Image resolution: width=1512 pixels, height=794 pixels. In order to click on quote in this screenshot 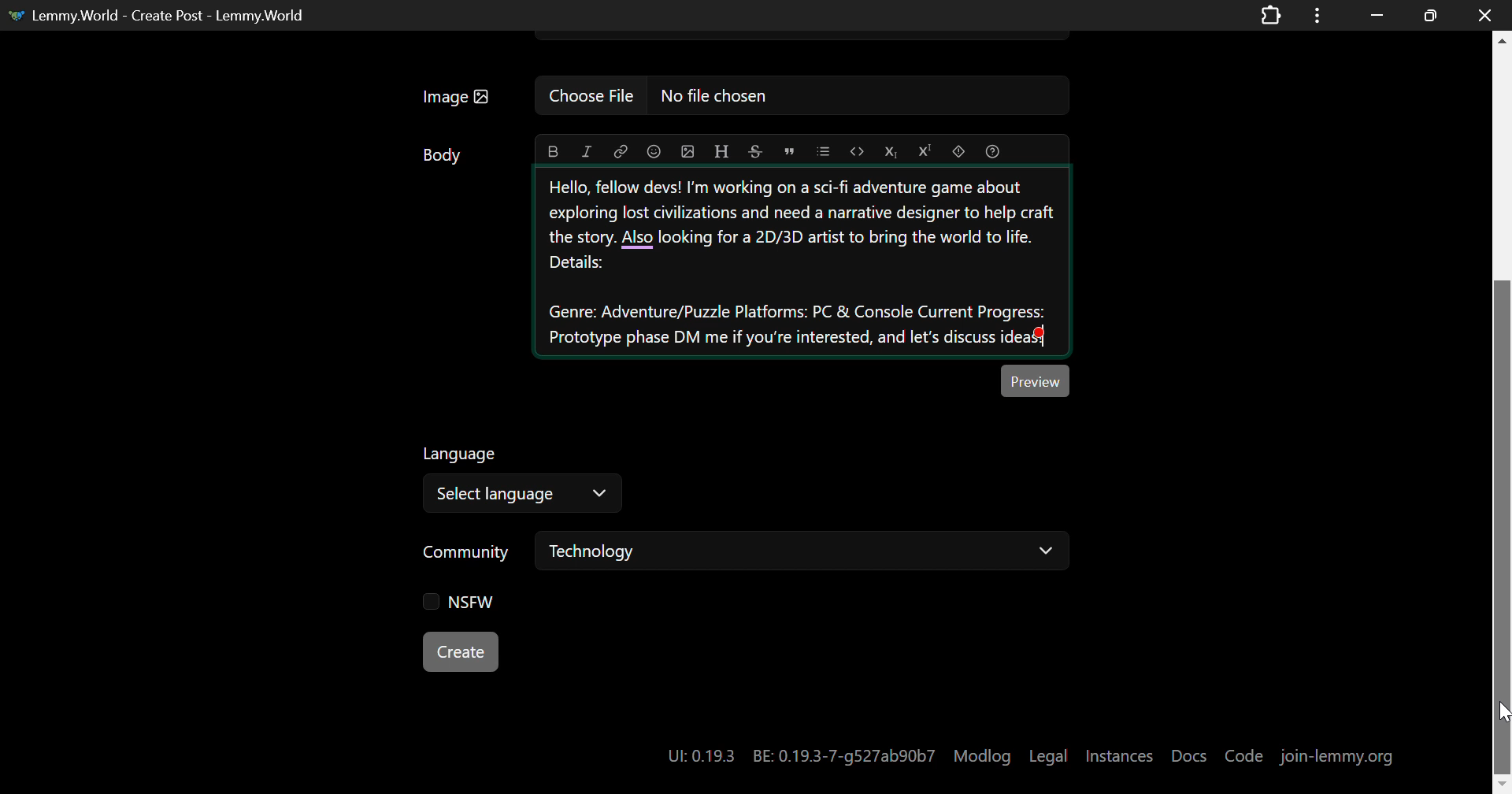, I will do `click(787, 150)`.